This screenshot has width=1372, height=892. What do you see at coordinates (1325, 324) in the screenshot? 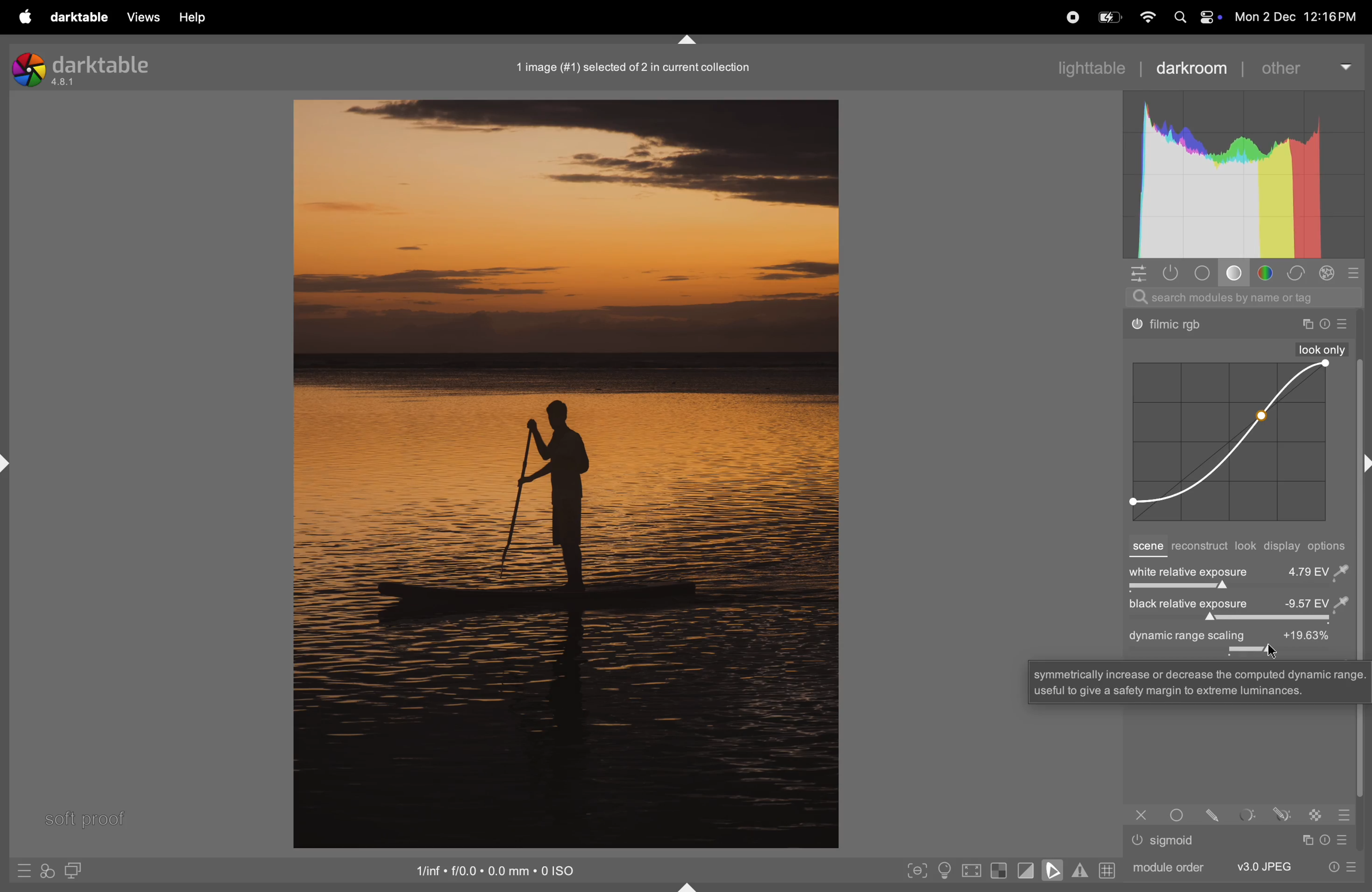
I see `` at bounding box center [1325, 324].